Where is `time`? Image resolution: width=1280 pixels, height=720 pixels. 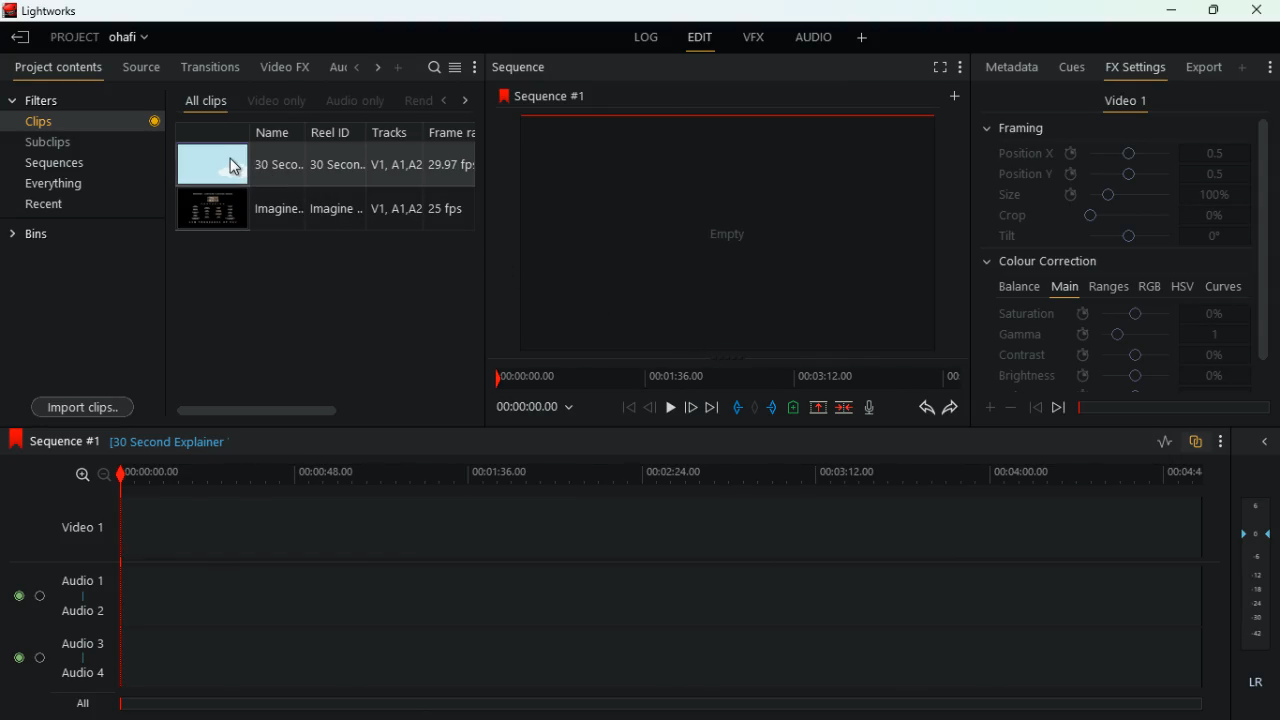 time is located at coordinates (533, 409).